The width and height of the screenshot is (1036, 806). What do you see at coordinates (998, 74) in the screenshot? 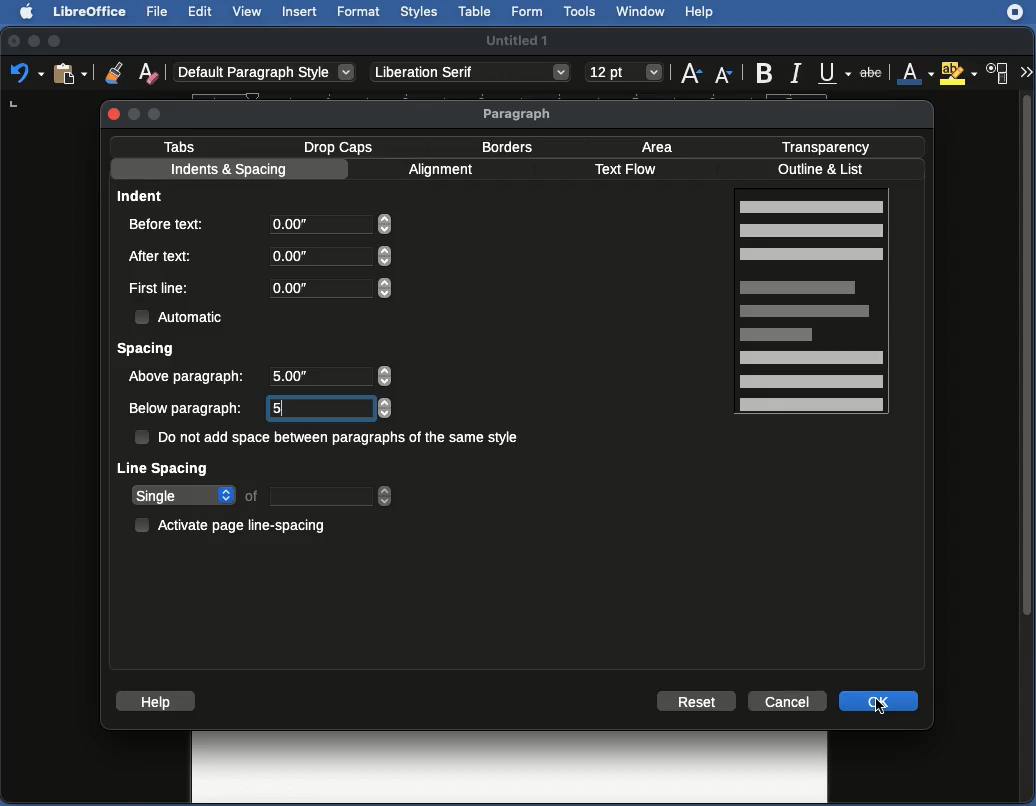
I see `Character` at bounding box center [998, 74].